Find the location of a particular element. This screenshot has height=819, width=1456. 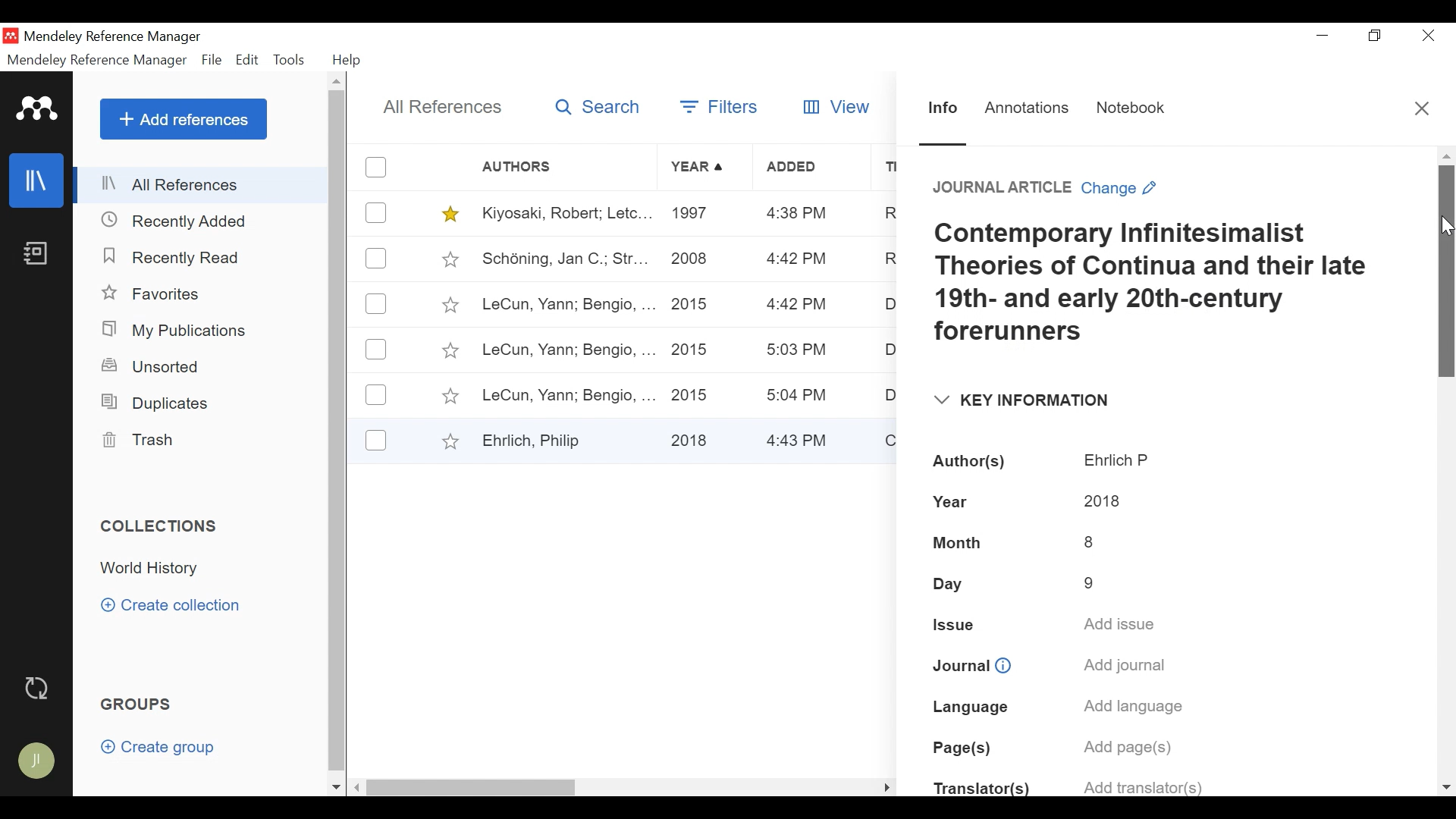

5:04 PM is located at coordinates (799, 395).